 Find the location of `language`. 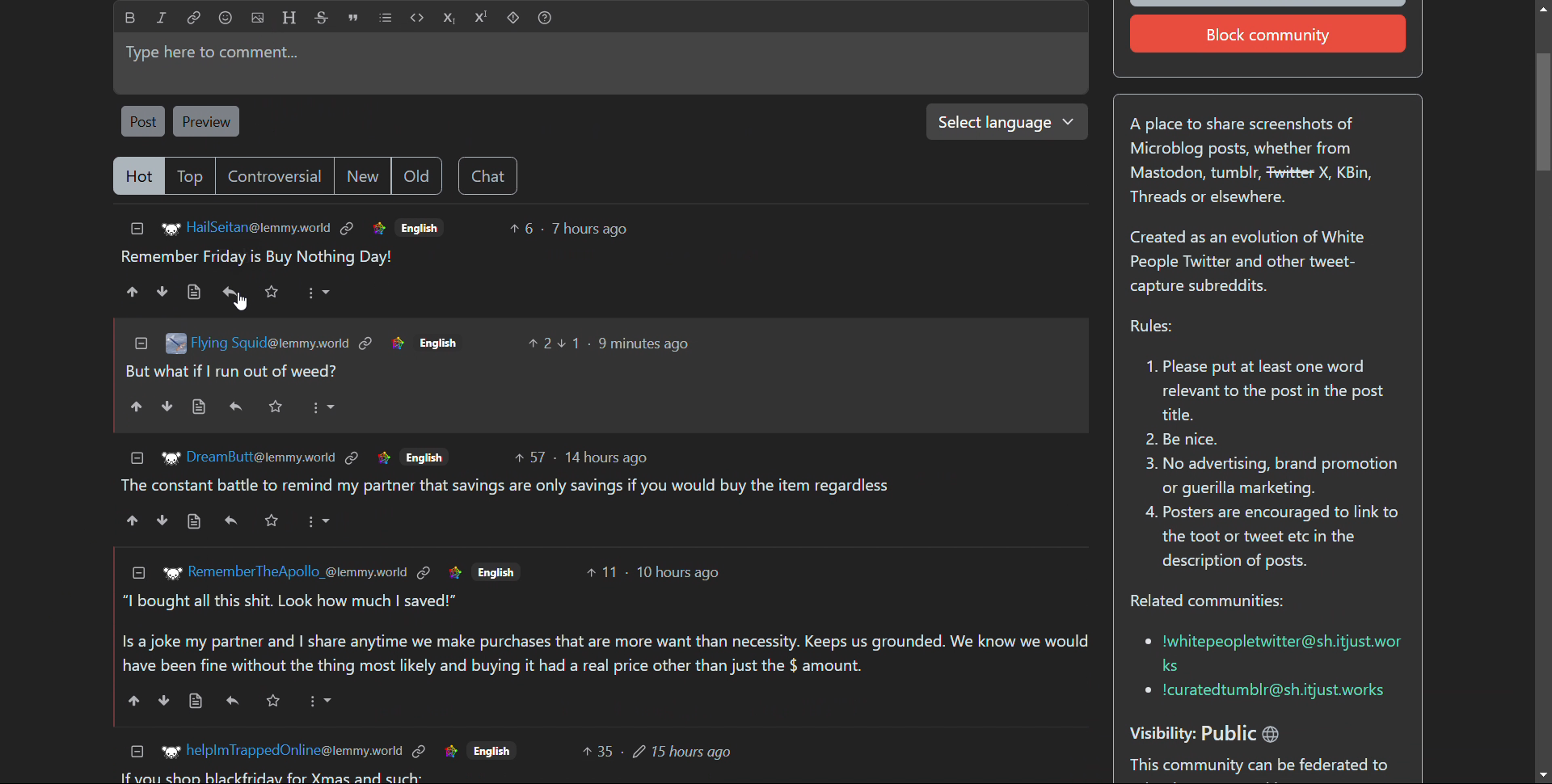

language is located at coordinates (420, 226).